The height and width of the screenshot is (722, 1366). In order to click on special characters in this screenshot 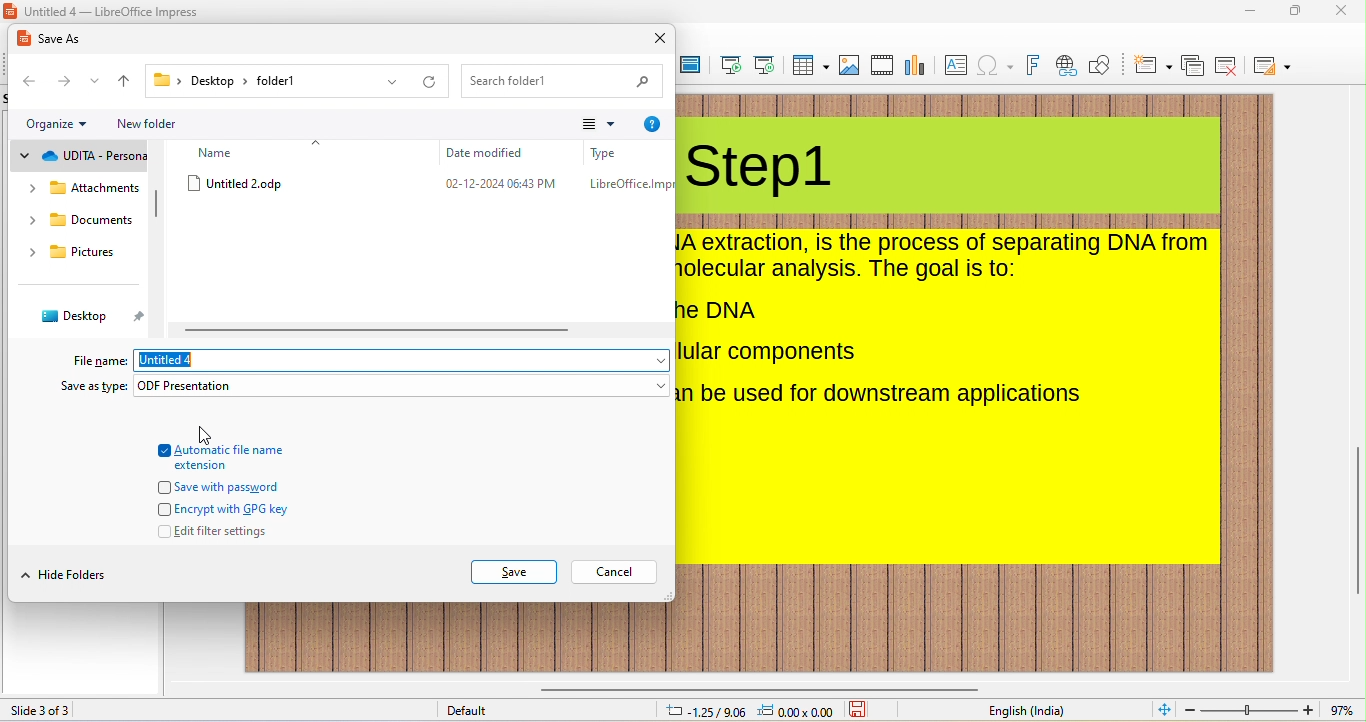, I will do `click(995, 67)`.